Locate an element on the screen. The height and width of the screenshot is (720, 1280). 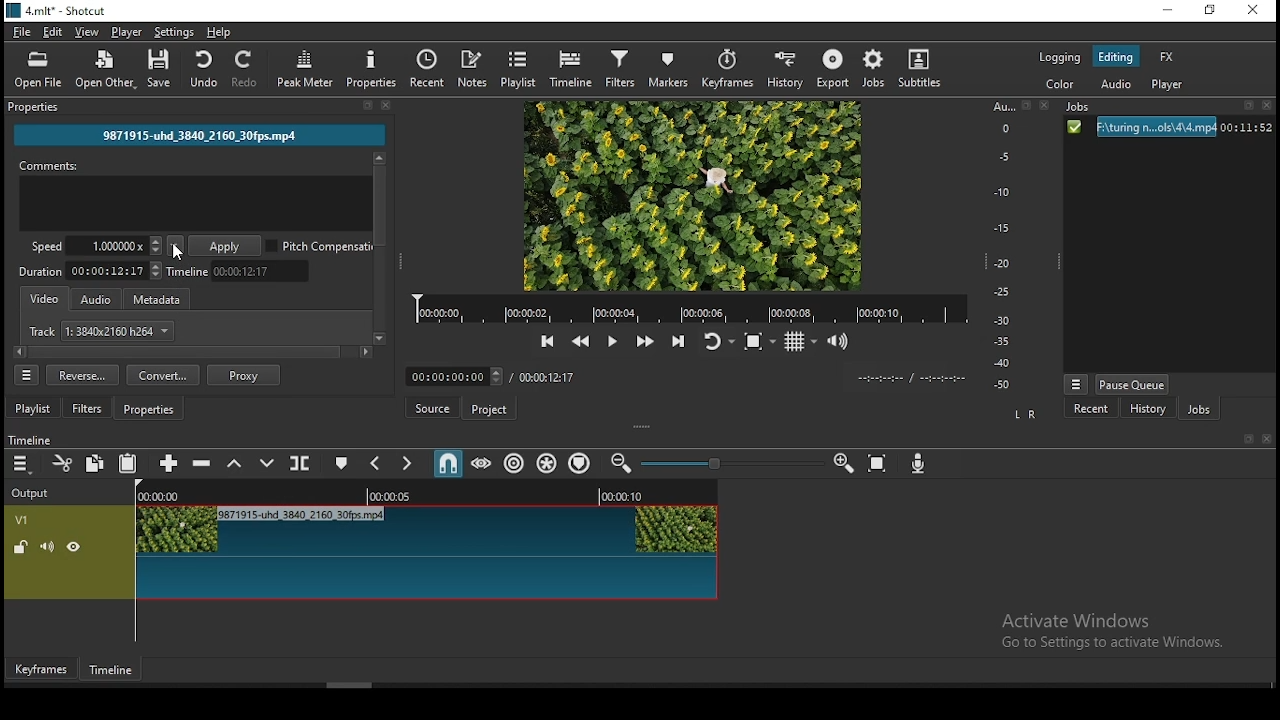
recent is located at coordinates (432, 69).